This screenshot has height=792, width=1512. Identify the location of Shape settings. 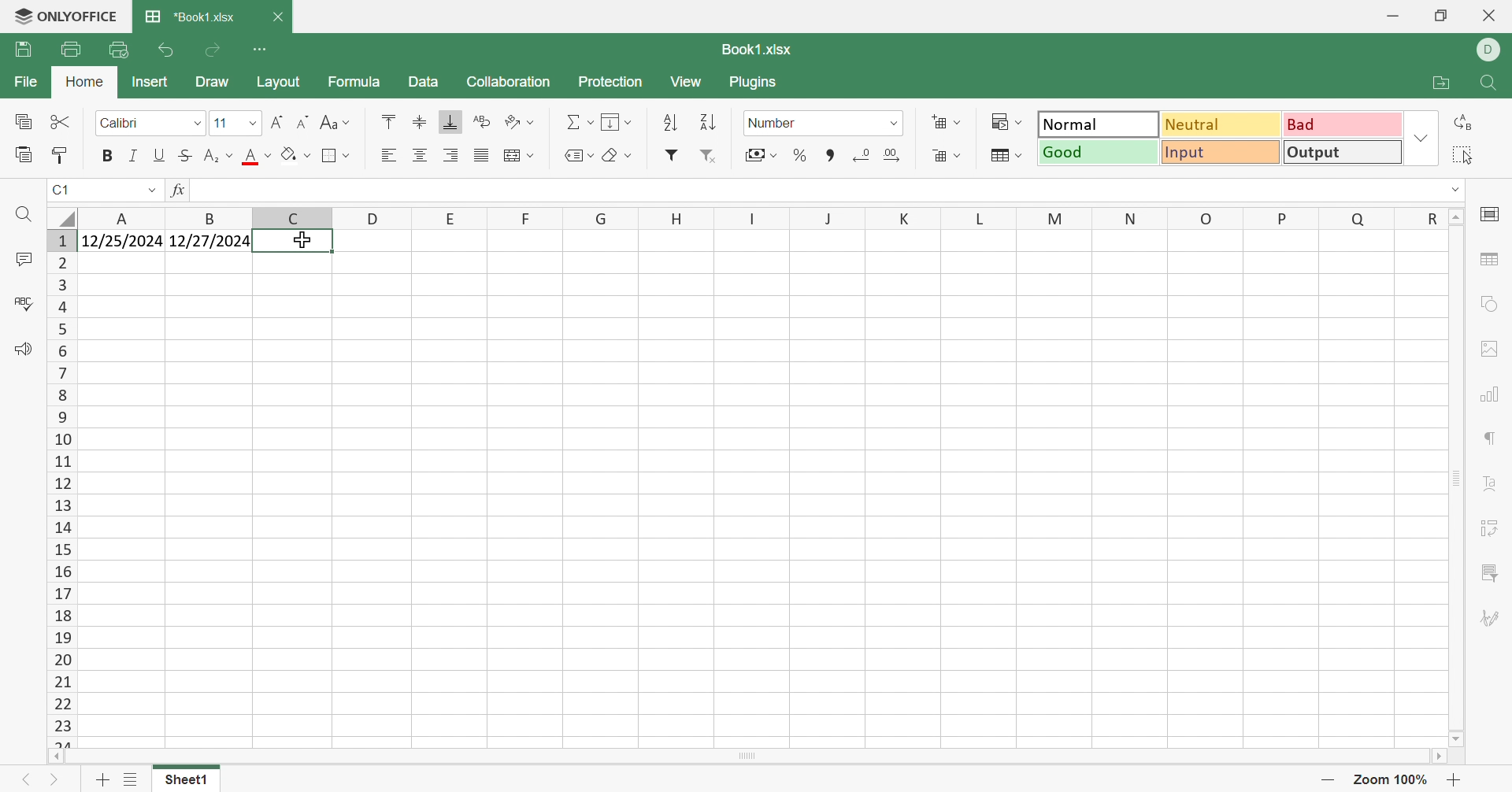
(1490, 306).